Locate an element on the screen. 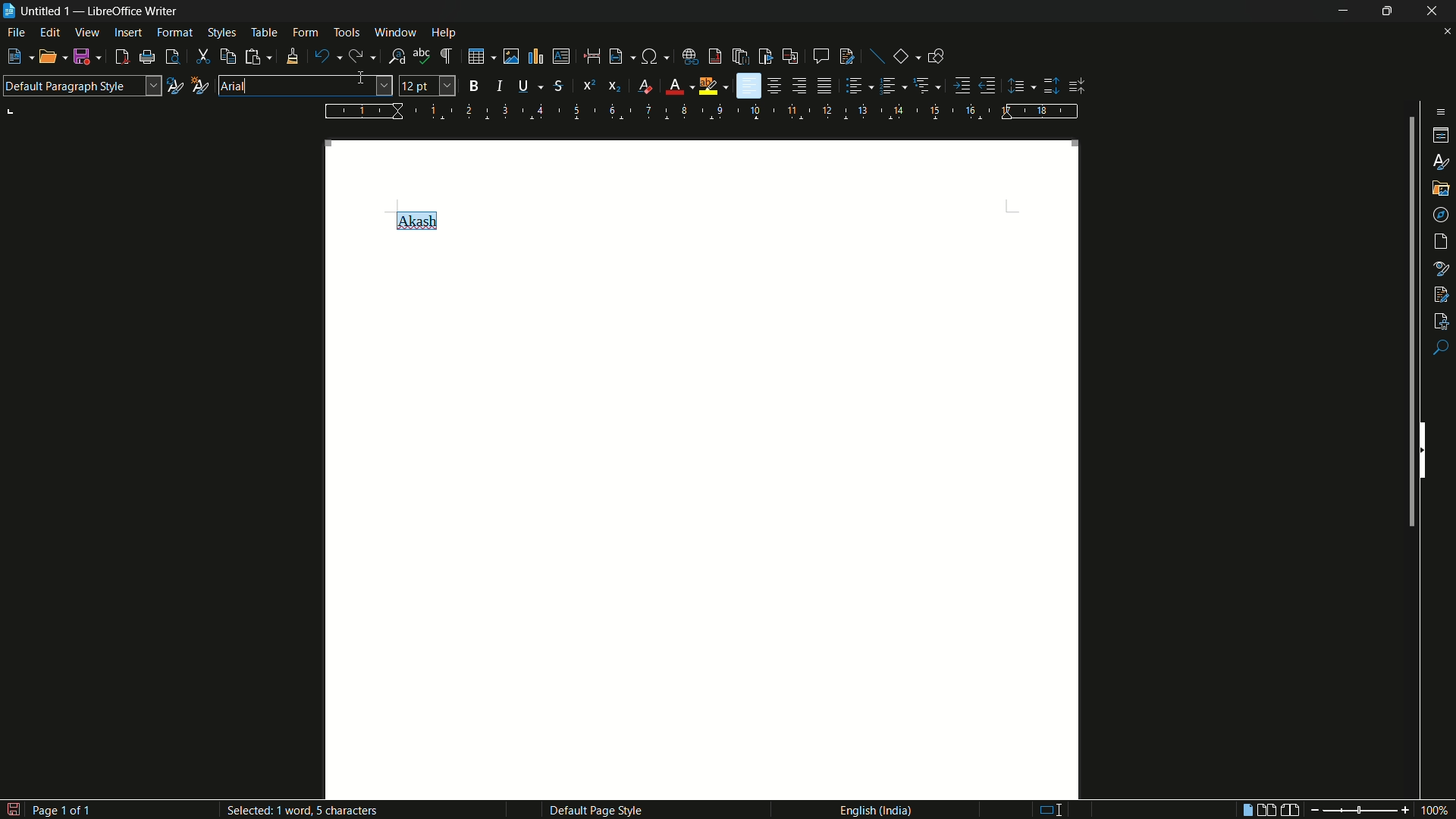 The height and width of the screenshot is (819, 1456). maximize or restore is located at coordinates (1387, 11).